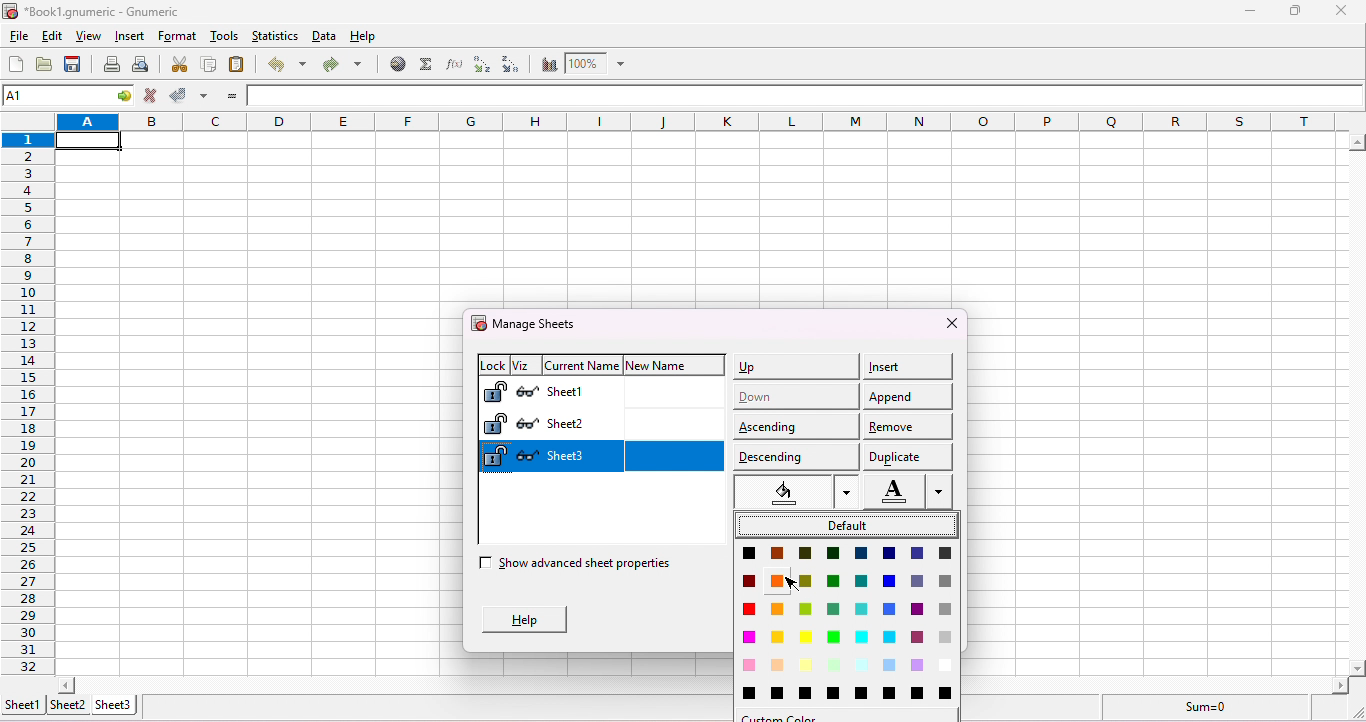 This screenshot has height=722, width=1366. Describe the element at coordinates (132, 37) in the screenshot. I see `insert` at that location.